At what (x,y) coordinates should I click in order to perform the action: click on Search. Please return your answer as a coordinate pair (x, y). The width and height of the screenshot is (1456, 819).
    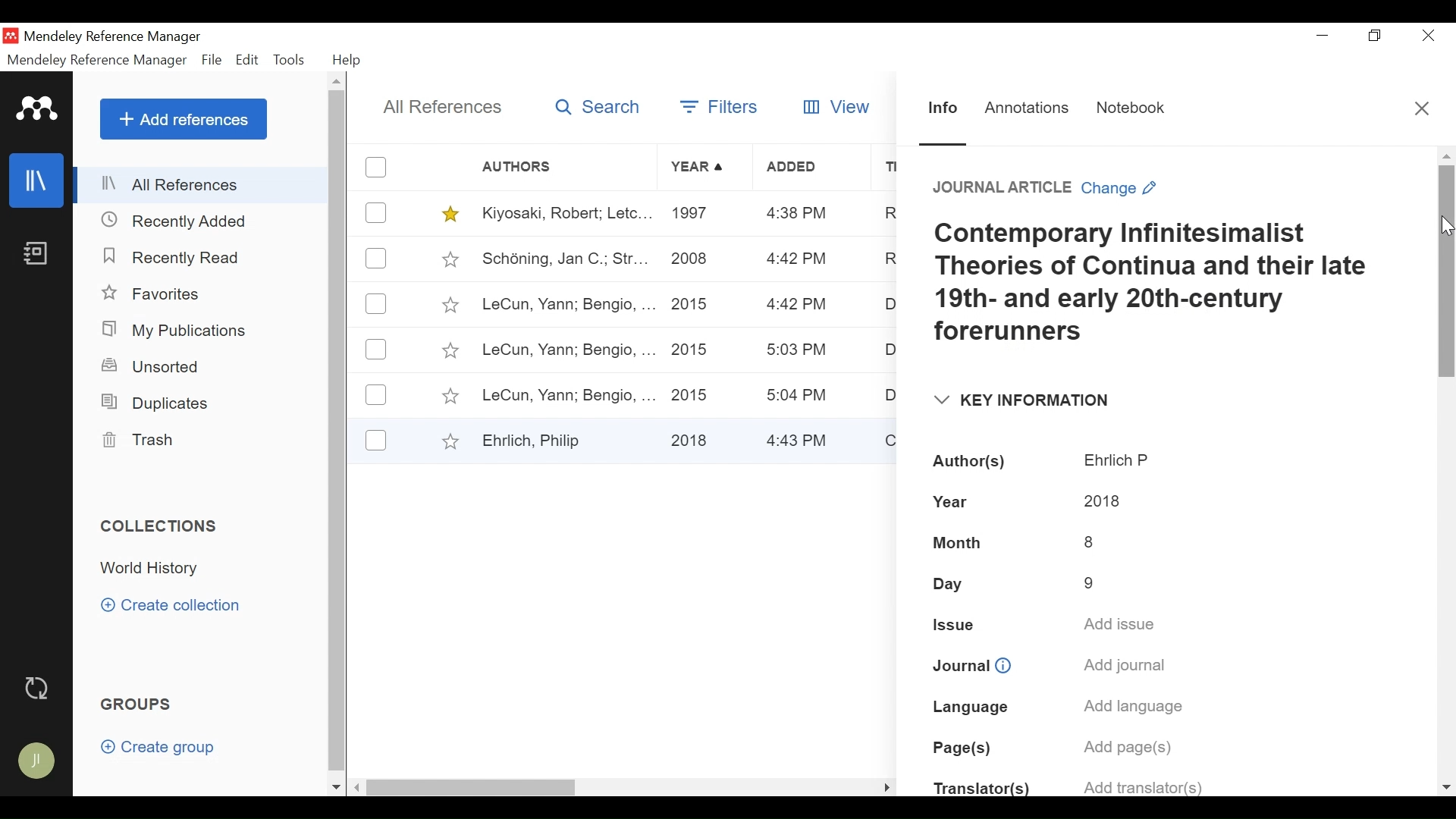
    Looking at the image, I should click on (595, 109).